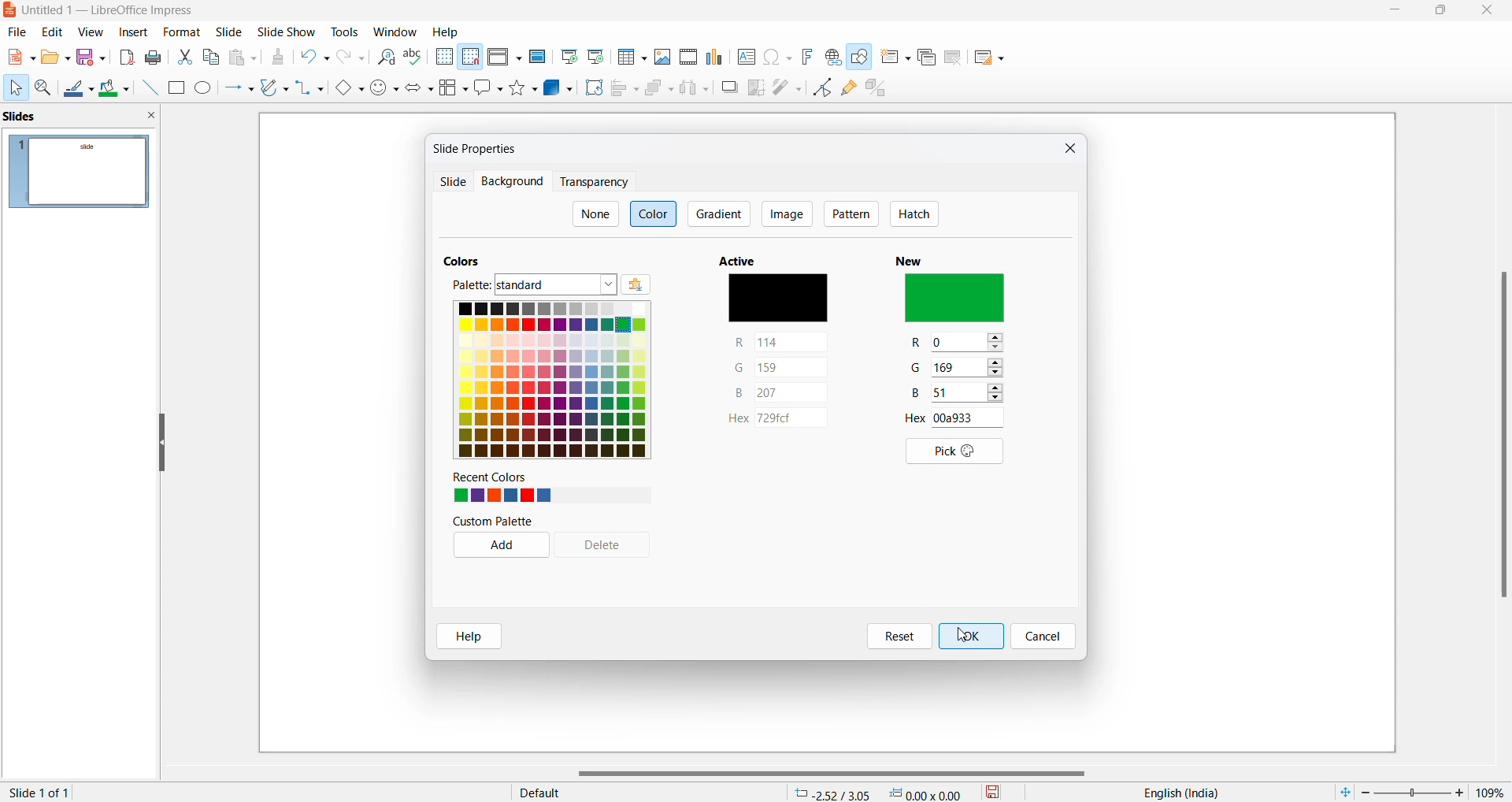 The image size is (1512, 802). What do you see at coordinates (716, 57) in the screenshot?
I see `insert charts ` at bounding box center [716, 57].